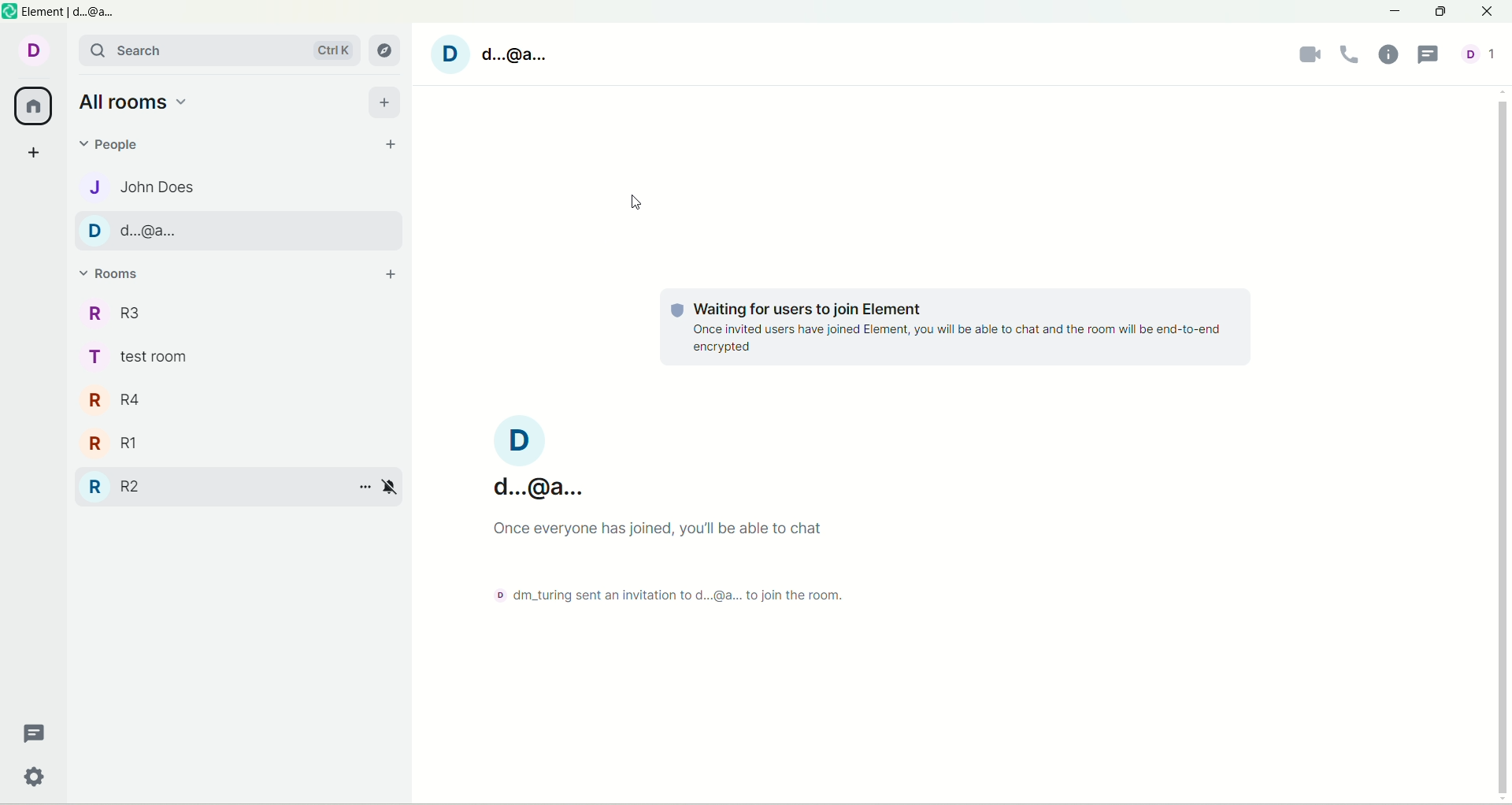 The width and height of the screenshot is (1512, 805). I want to click on cursor, so click(640, 204).